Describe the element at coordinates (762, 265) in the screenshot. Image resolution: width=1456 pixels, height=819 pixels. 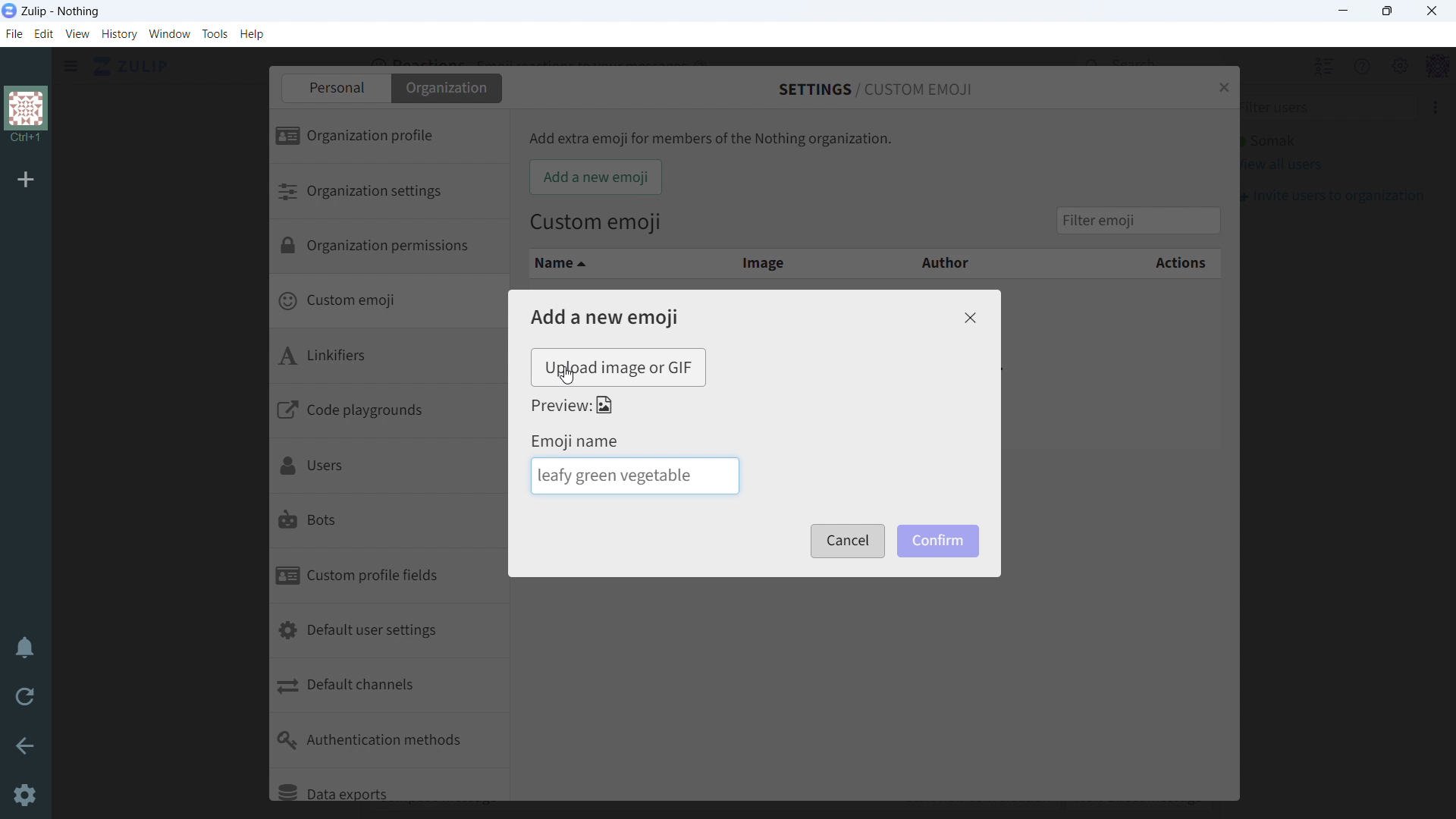
I see `image` at that location.